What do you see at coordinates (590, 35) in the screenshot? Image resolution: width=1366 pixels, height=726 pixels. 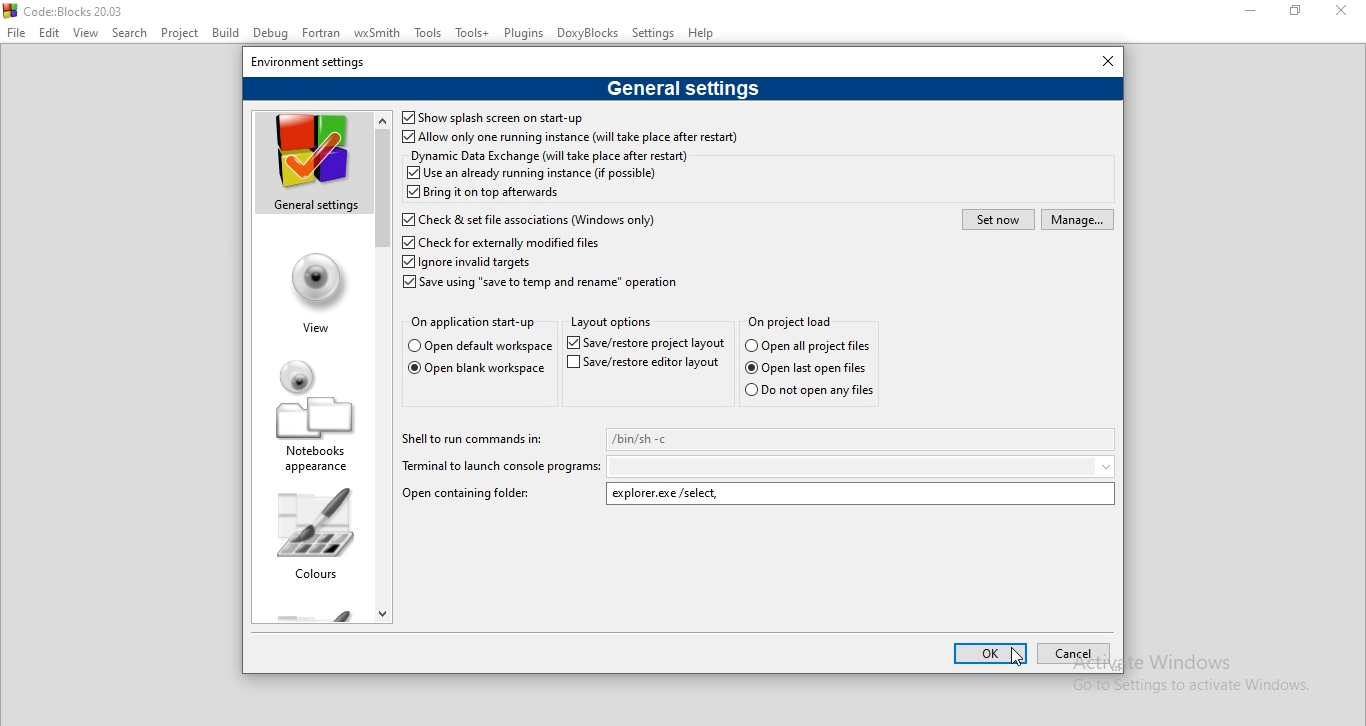 I see `DoxyBlocks` at bounding box center [590, 35].